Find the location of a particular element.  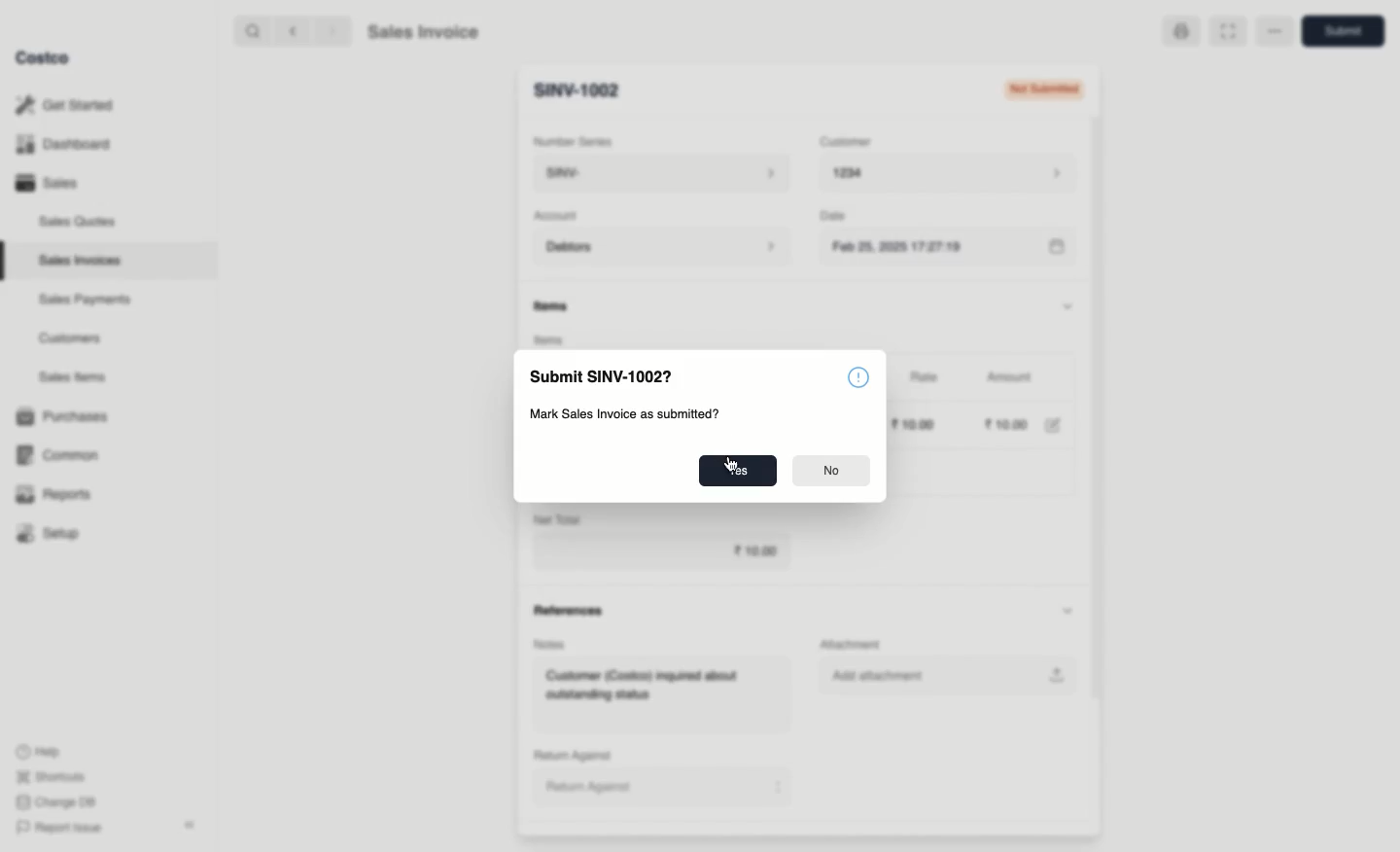

Sales is located at coordinates (48, 184).